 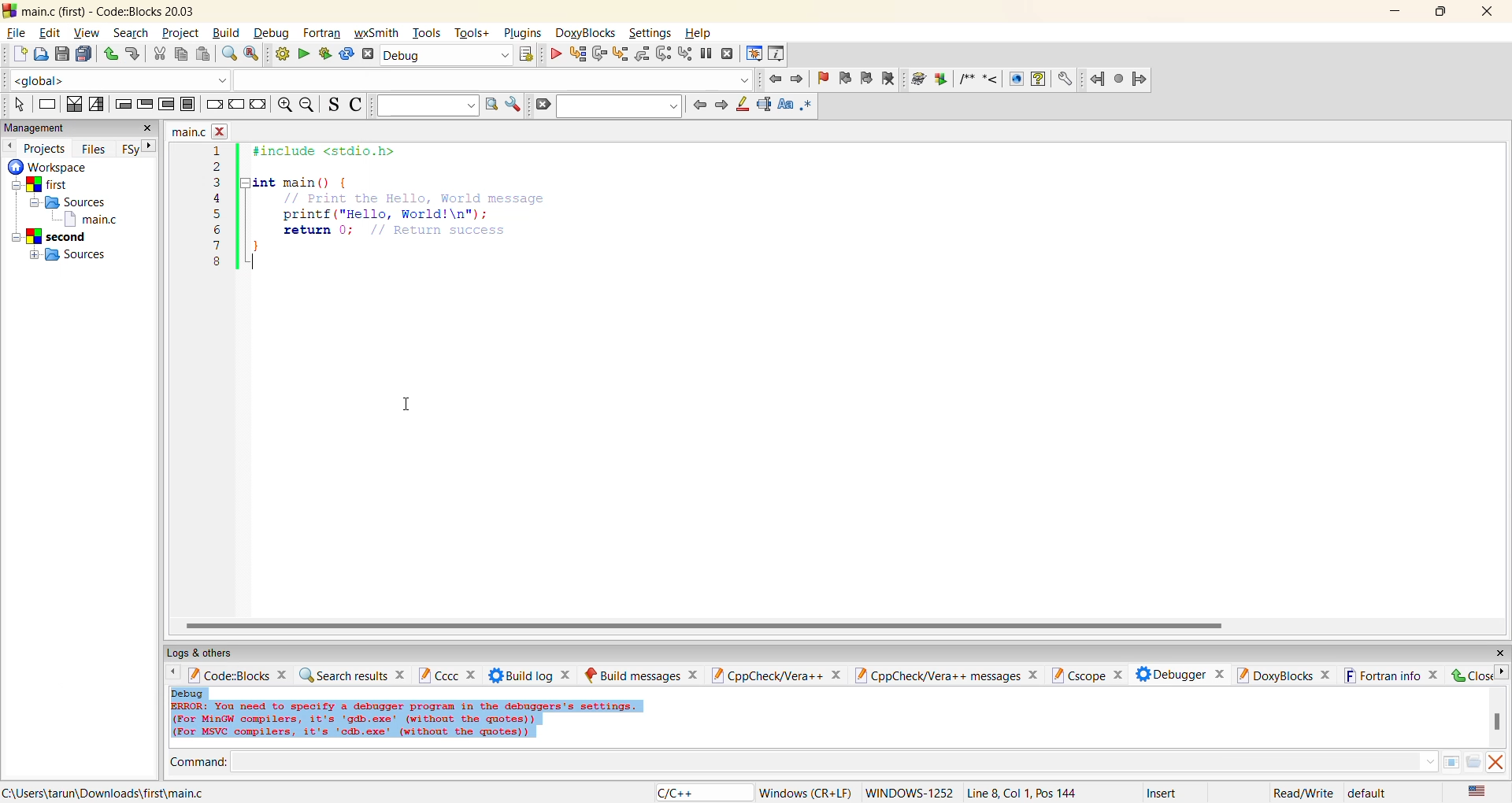 What do you see at coordinates (404, 405) in the screenshot?
I see `cursor` at bounding box center [404, 405].